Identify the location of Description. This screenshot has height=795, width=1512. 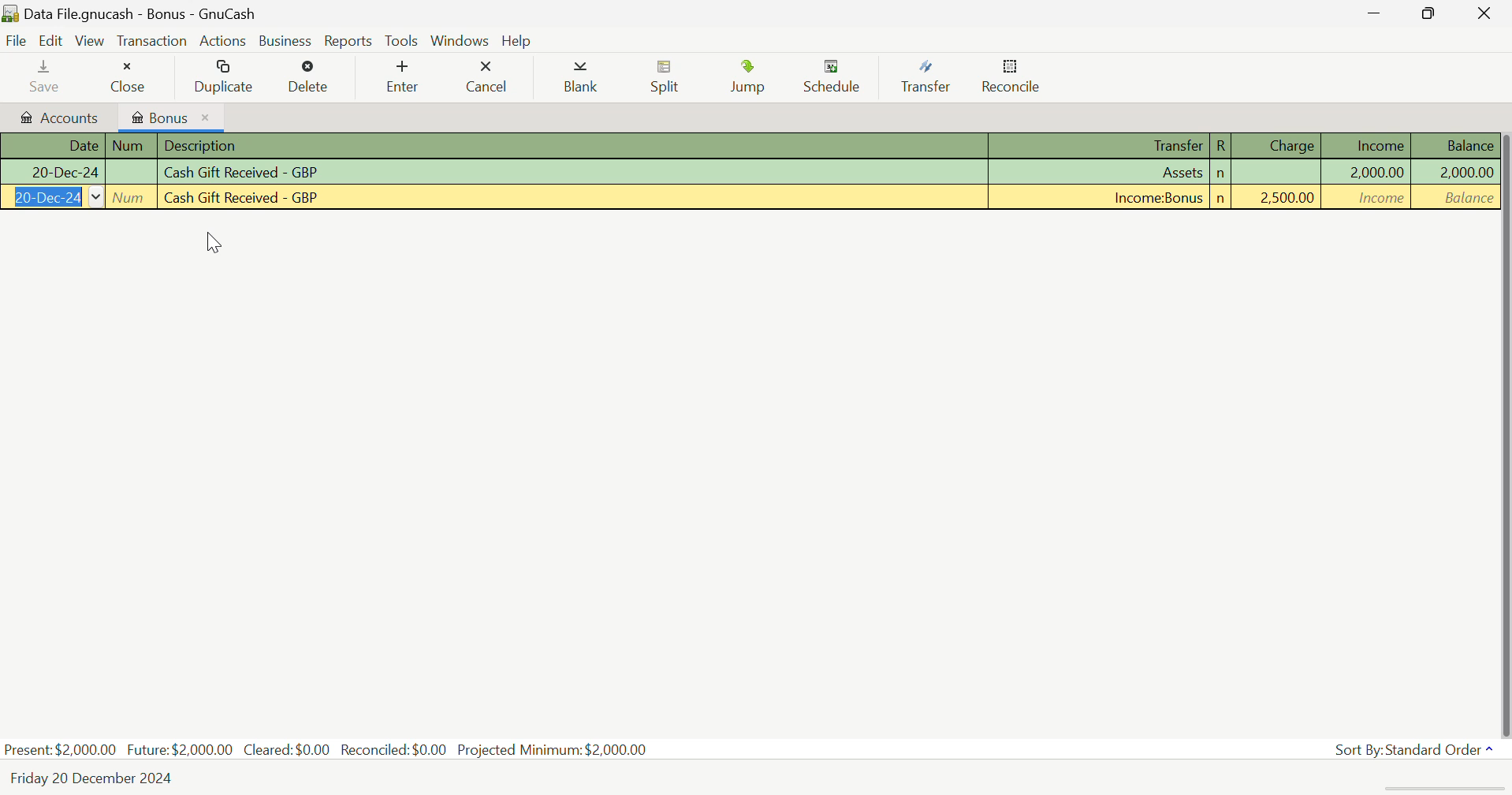
(572, 198).